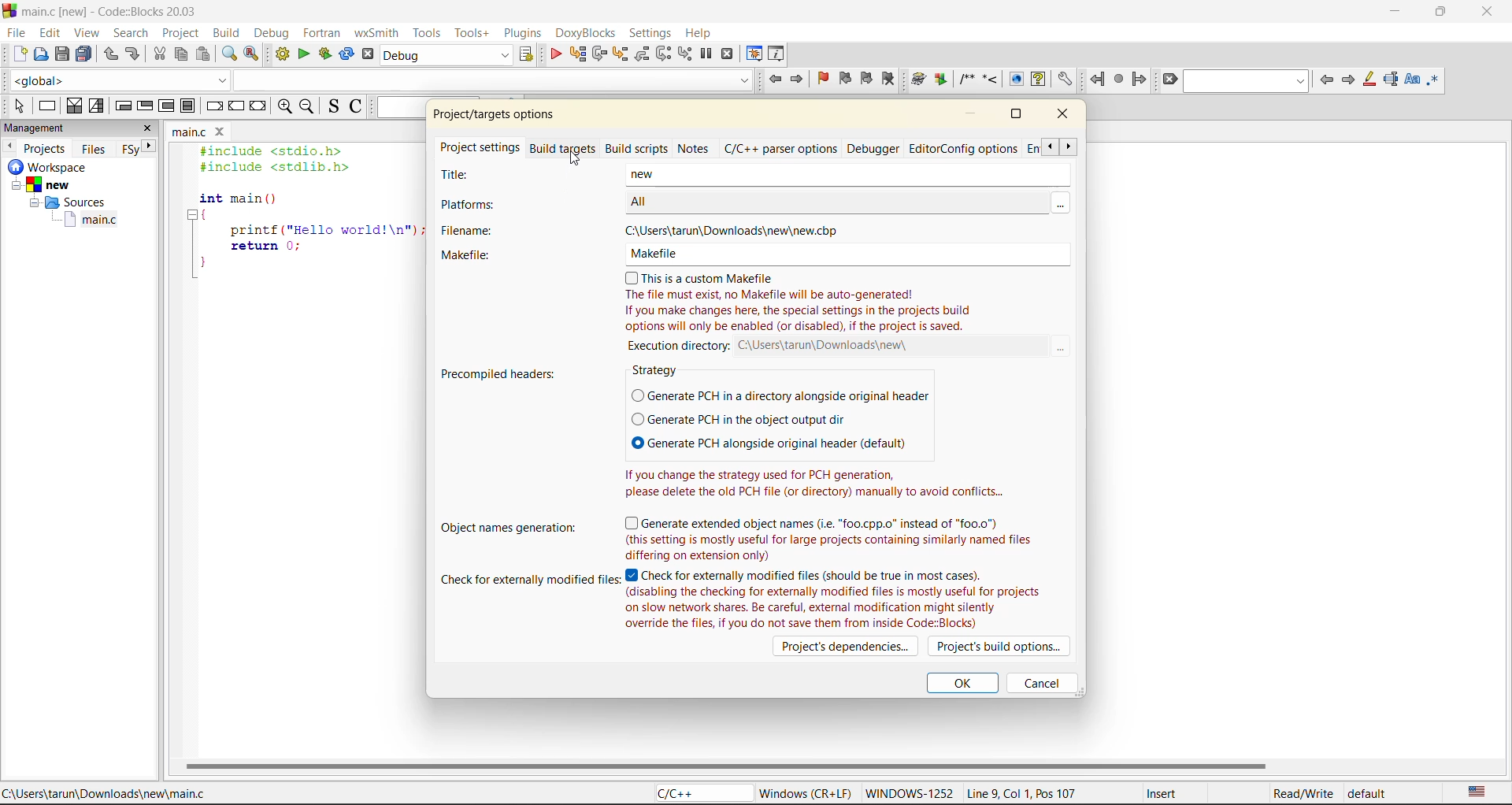 The image size is (1512, 805). What do you see at coordinates (144, 106) in the screenshot?
I see `exit condition loop` at bounding box center [144, 106].